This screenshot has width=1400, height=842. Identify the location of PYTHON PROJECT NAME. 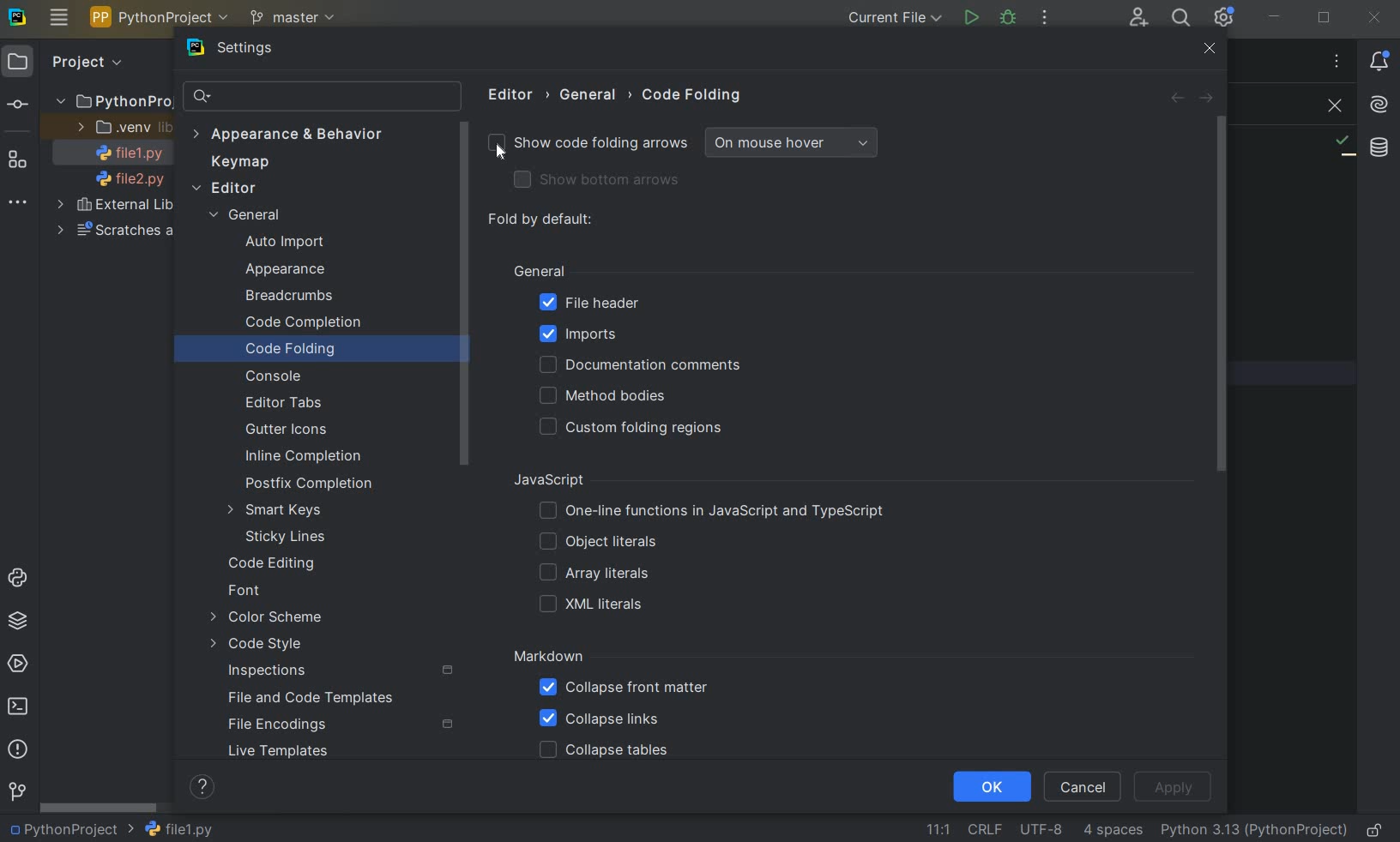
(162, 19).